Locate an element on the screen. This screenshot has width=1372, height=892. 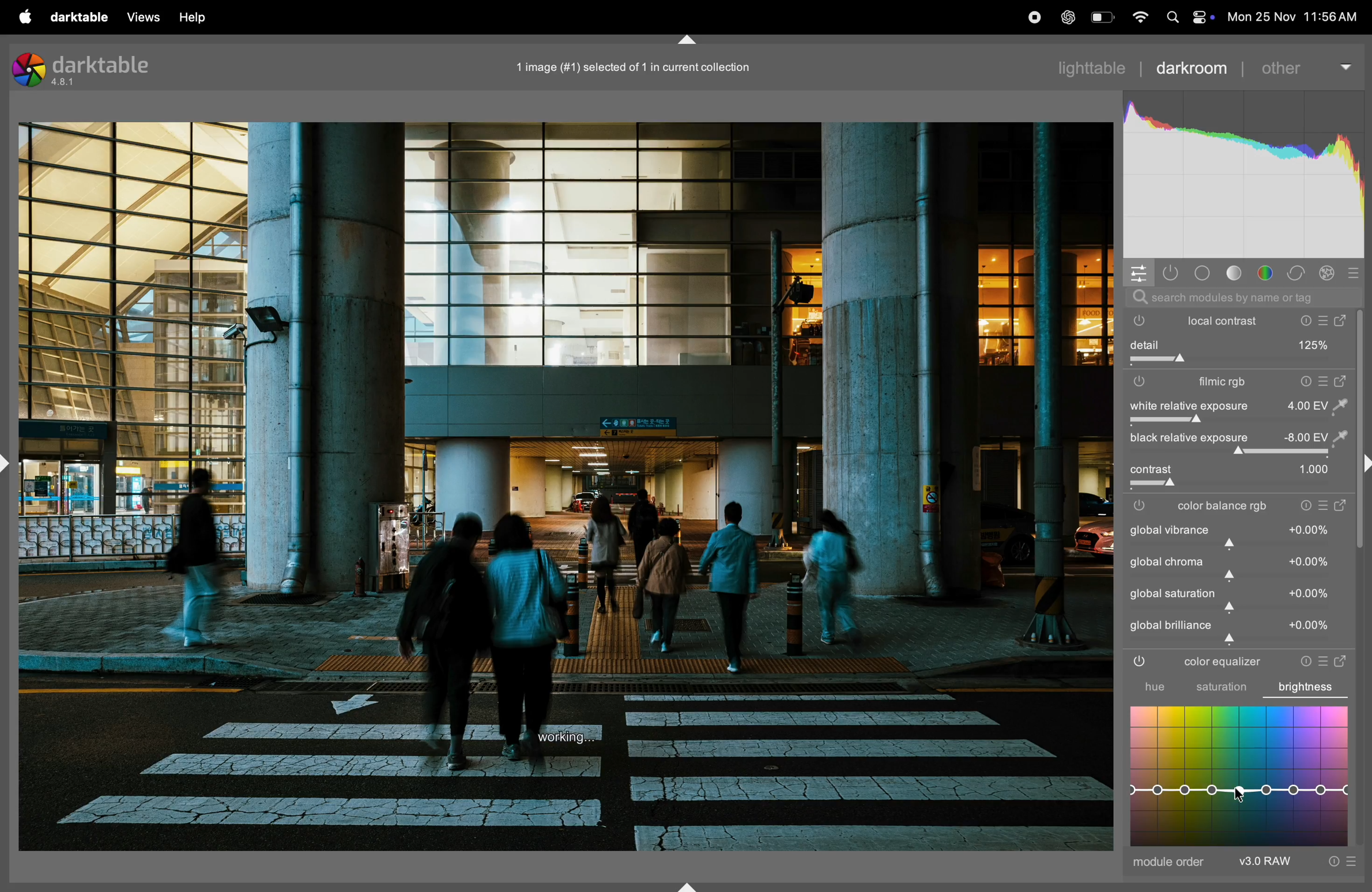
value is located at coordinates (1310, 561).